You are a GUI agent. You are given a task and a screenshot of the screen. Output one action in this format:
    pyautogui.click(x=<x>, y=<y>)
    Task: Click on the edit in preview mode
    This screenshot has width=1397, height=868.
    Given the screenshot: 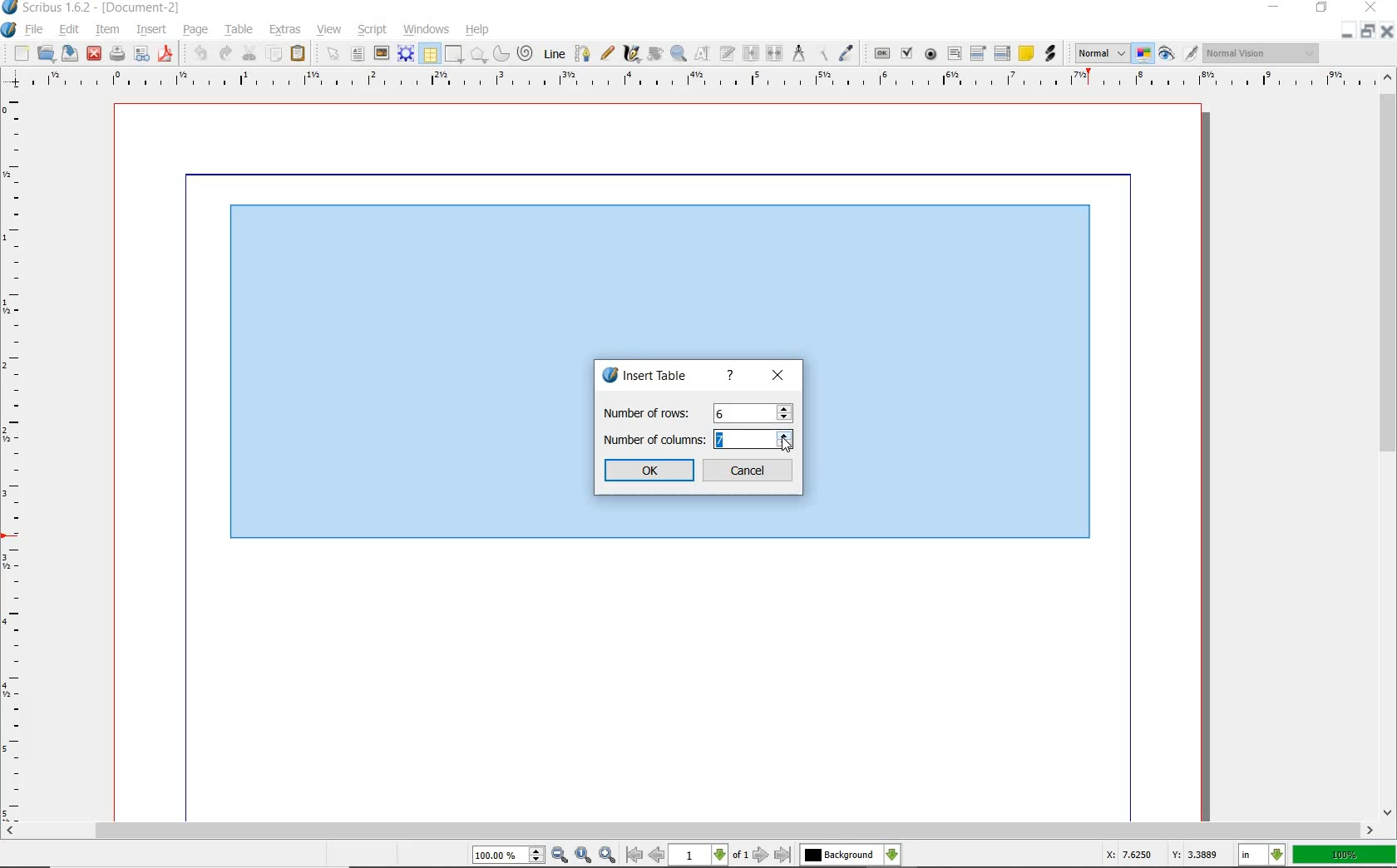 What is the action you would take?
    pyautogui.click(x=1190, y=53)
    